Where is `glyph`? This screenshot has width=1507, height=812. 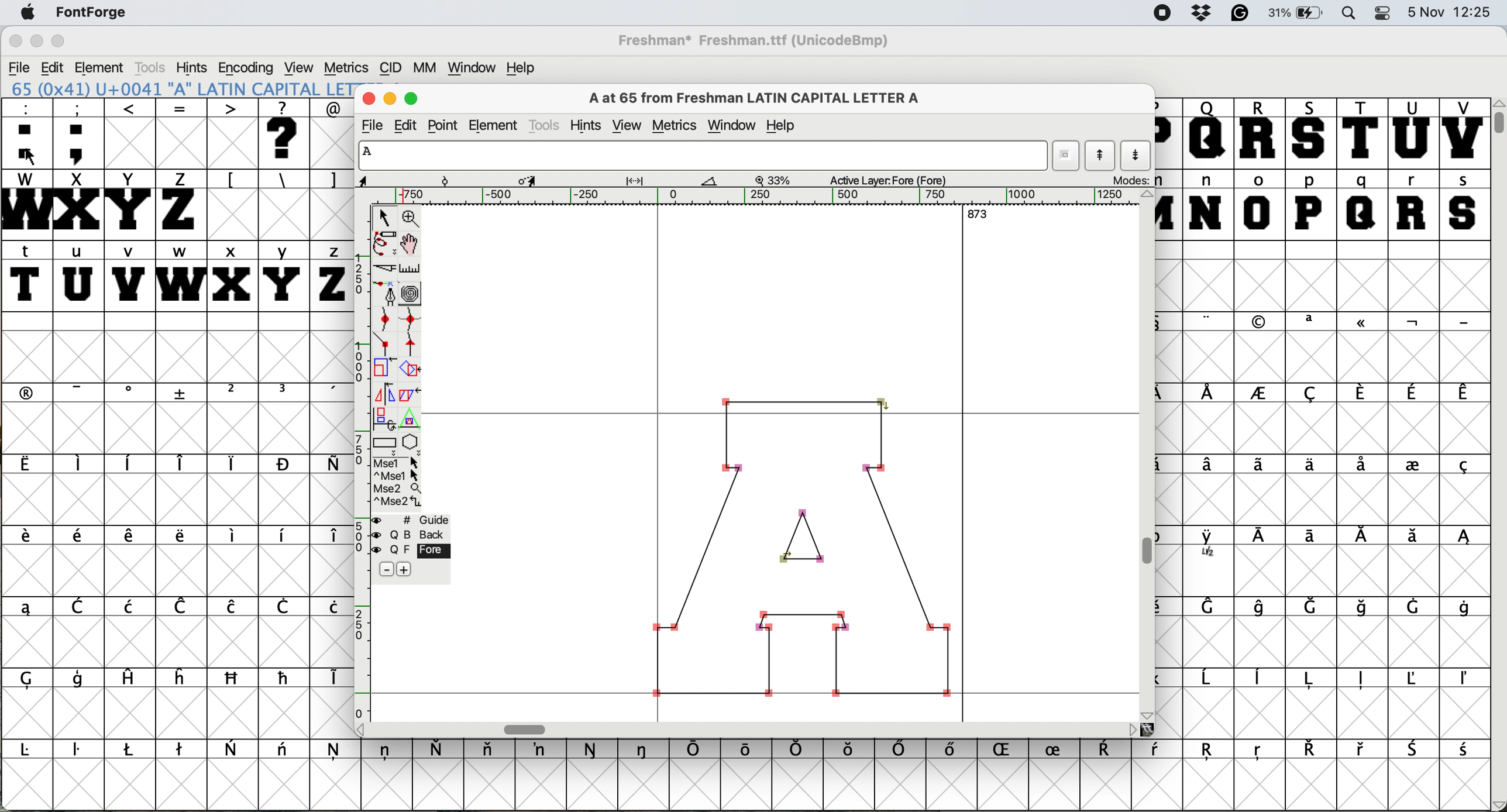 glyph is located at coordinates (701, 155).